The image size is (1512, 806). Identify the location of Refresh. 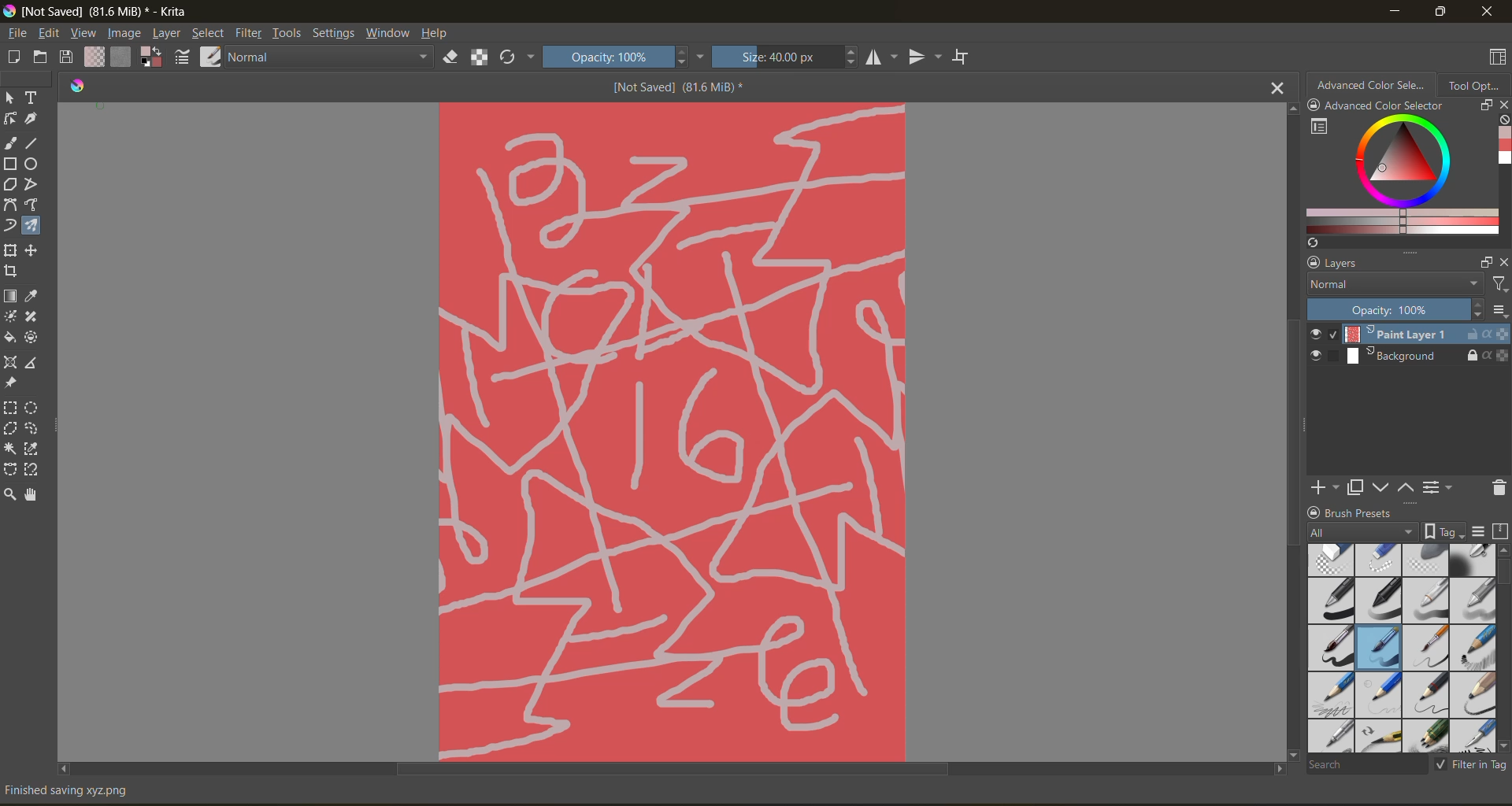
(1310, 242).